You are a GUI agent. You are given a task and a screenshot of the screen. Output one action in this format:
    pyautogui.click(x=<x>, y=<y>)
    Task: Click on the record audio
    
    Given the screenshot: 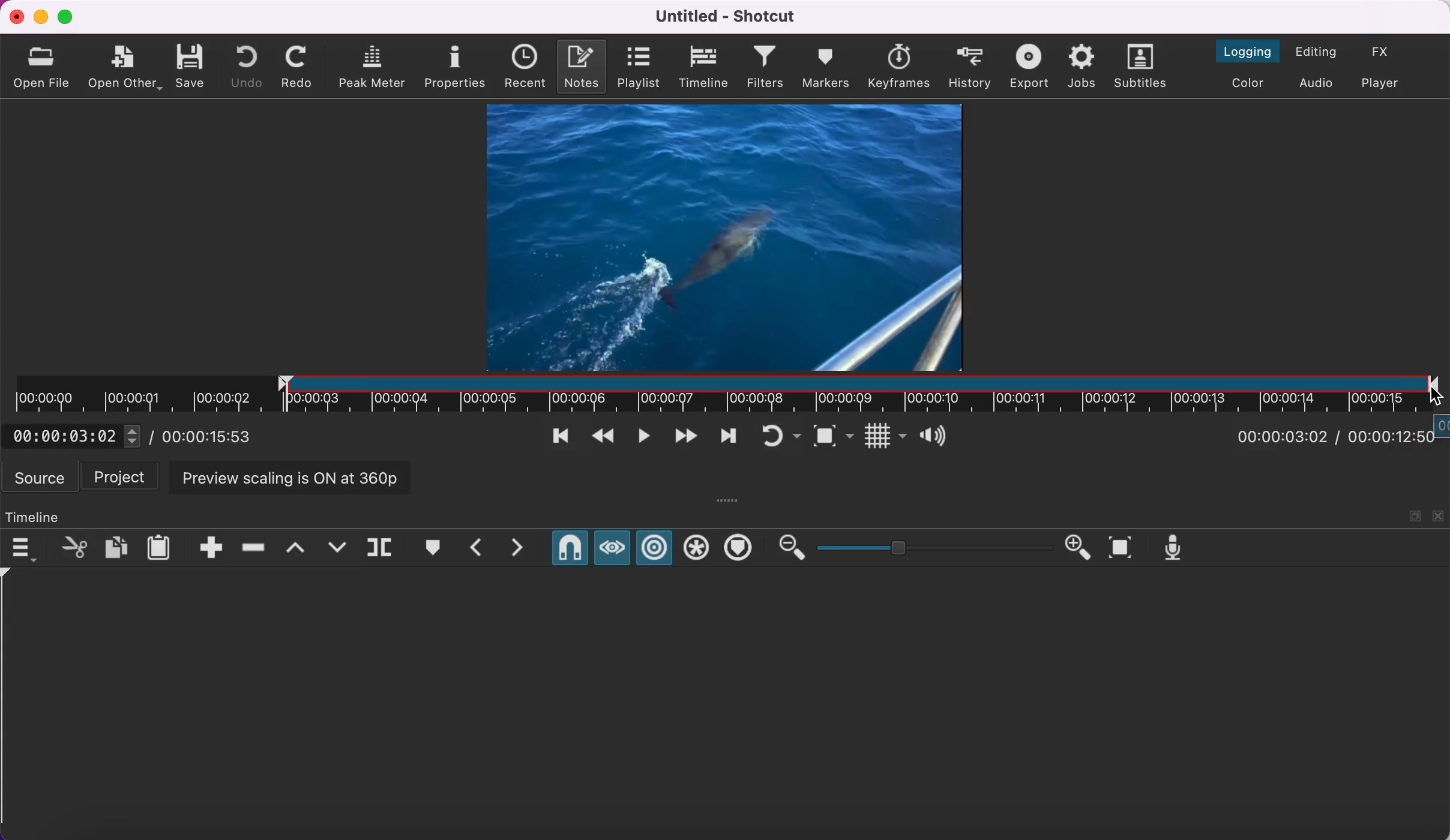 What is the action you would take?
    pyautogui.click(x=1178, y=549)
    